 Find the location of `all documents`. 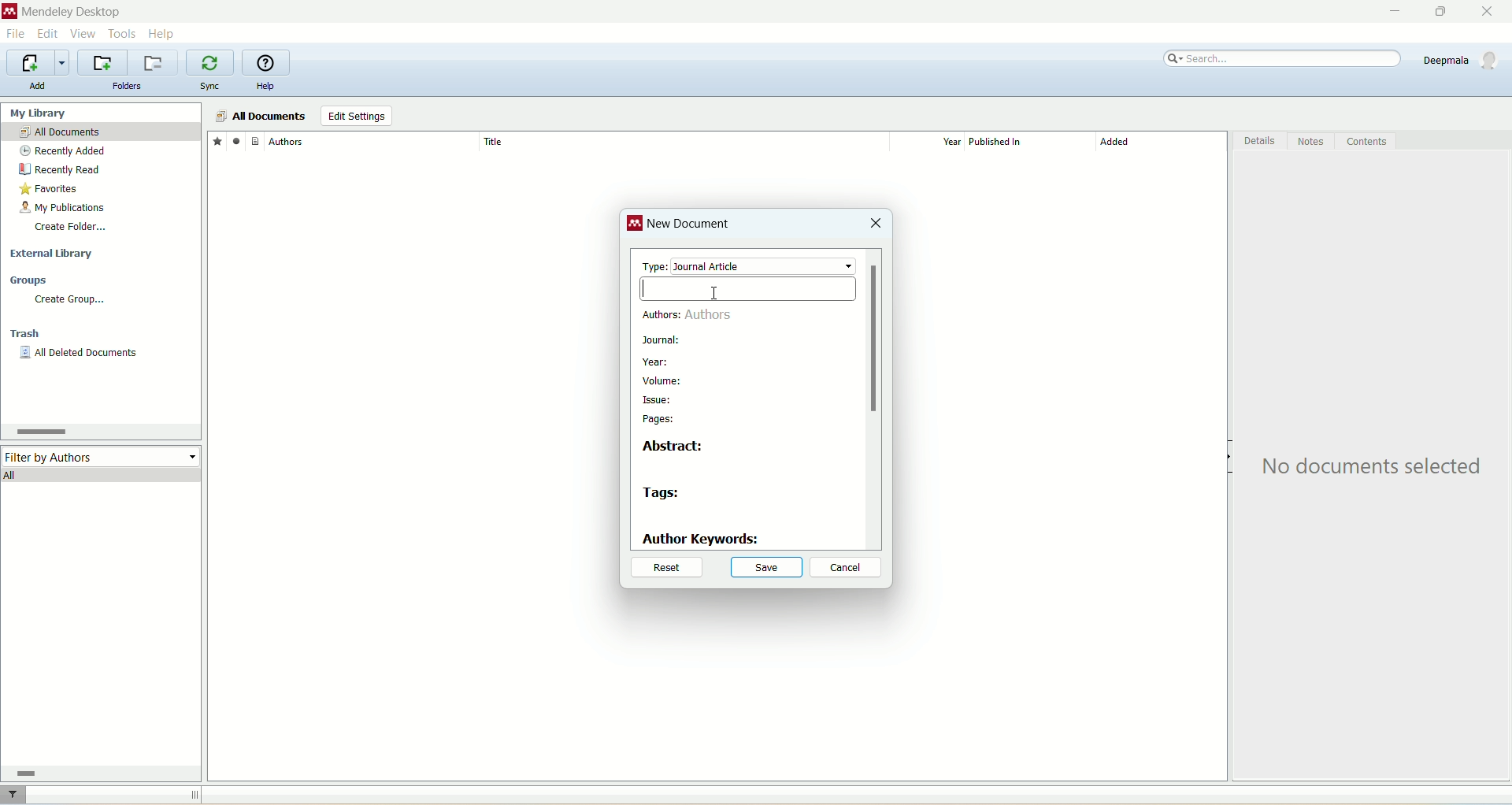

all documents is located at coordinates (101, 132).